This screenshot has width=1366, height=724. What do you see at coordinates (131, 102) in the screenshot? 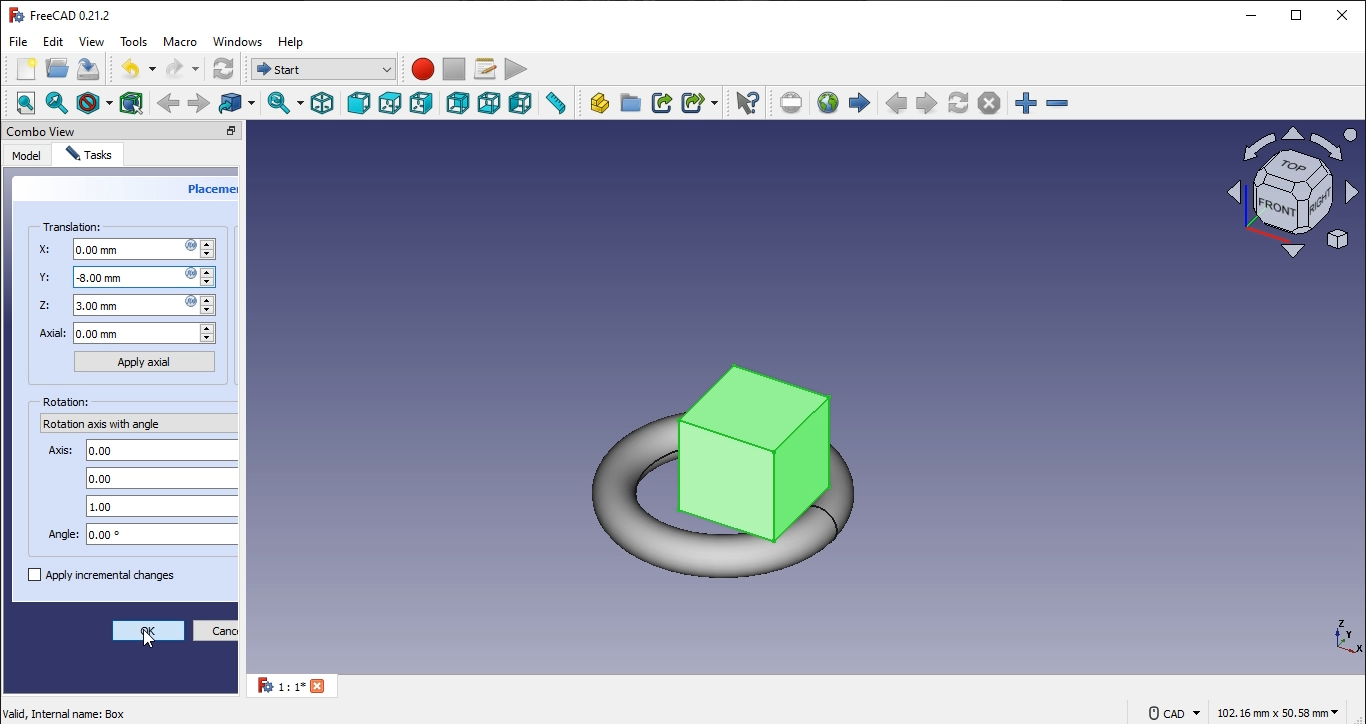
I see `bounding box` at bounding box center [131, 102].